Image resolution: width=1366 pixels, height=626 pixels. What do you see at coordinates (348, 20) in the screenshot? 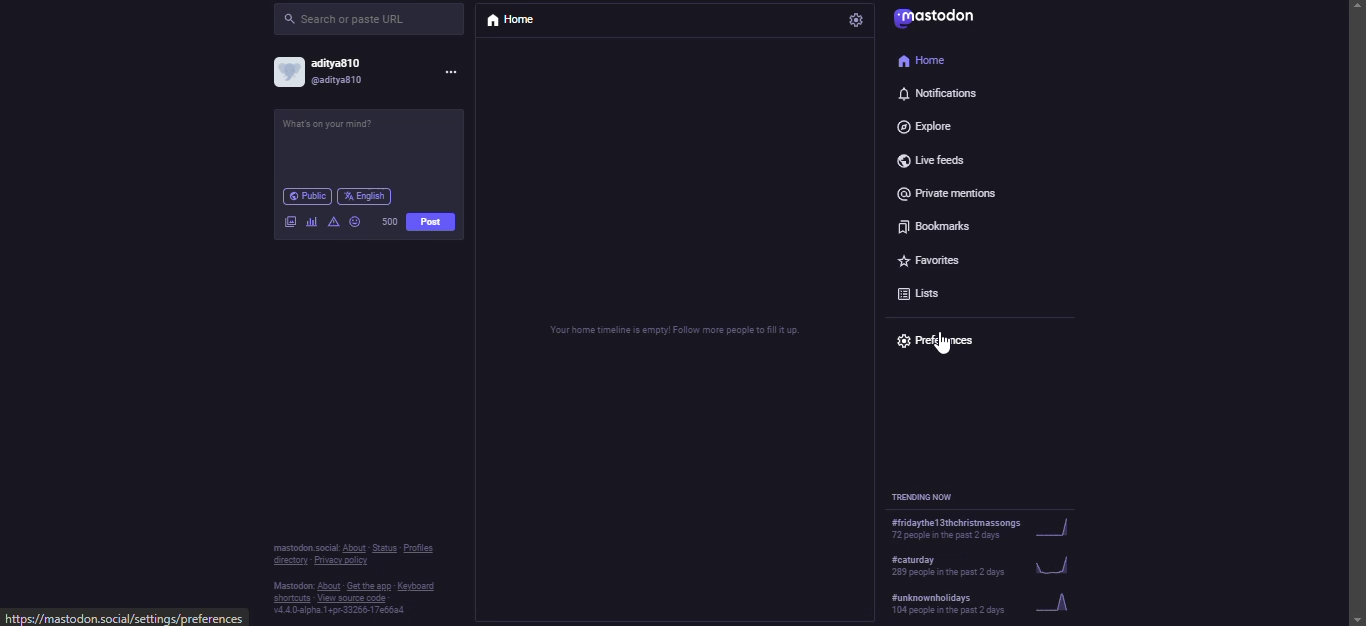
I see `search` at bounding box center [348, 20].